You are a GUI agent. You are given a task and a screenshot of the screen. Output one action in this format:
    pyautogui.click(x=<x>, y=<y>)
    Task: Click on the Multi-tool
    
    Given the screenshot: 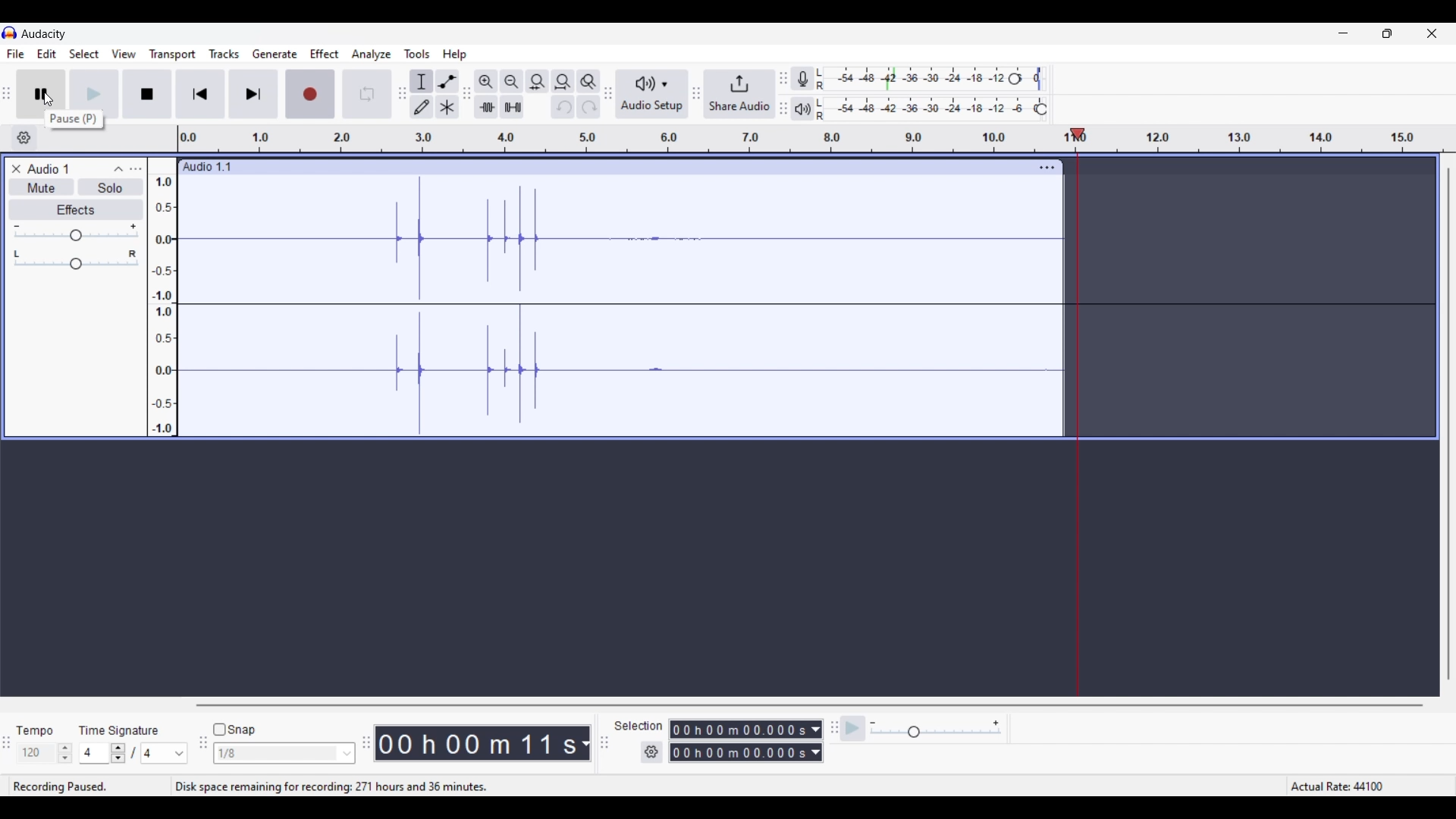 What is the action you would take?
    pyautogui.click(x=447, y=107)
    